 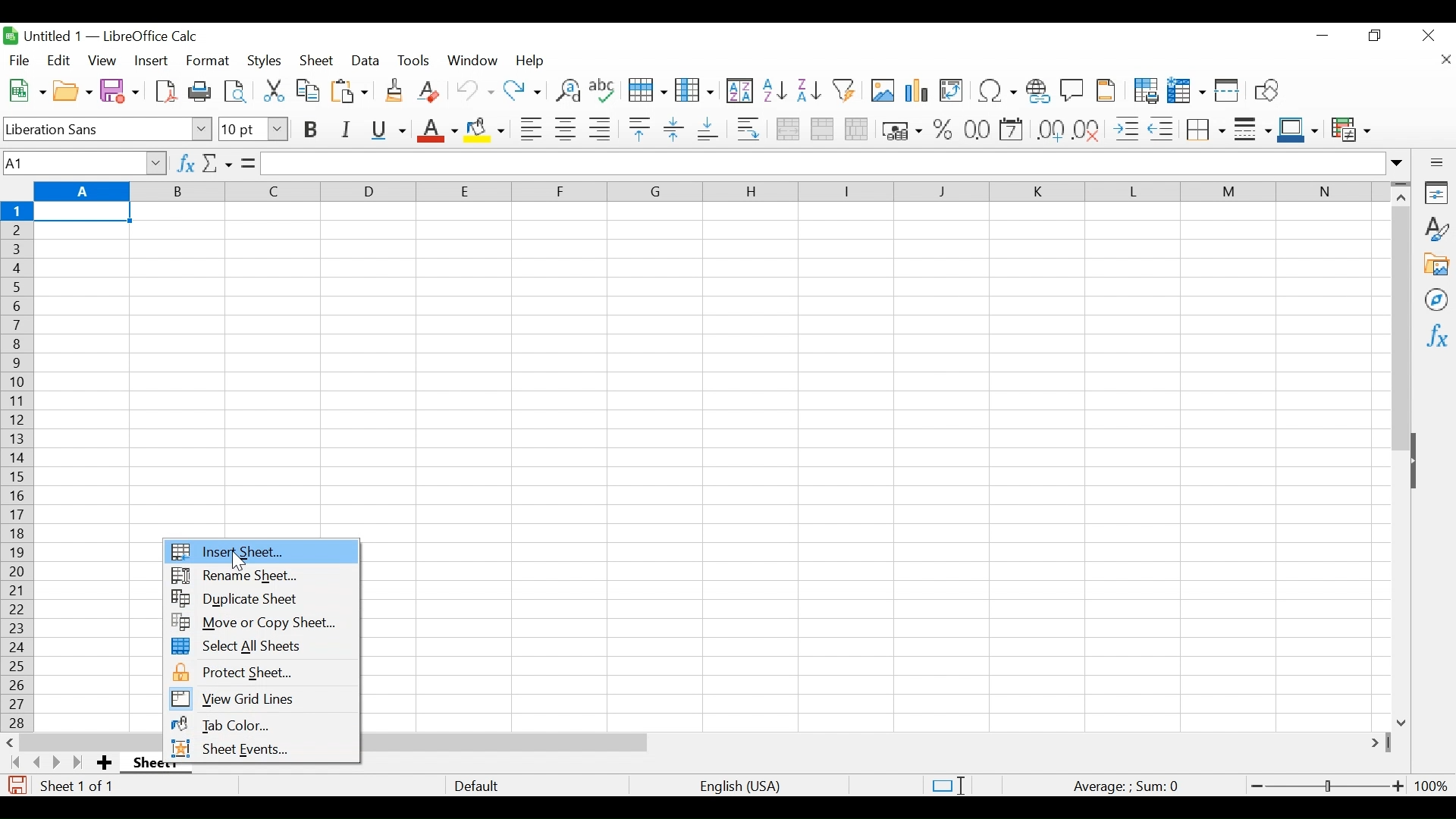 I want to click on Window, so click(x=472, y=61).